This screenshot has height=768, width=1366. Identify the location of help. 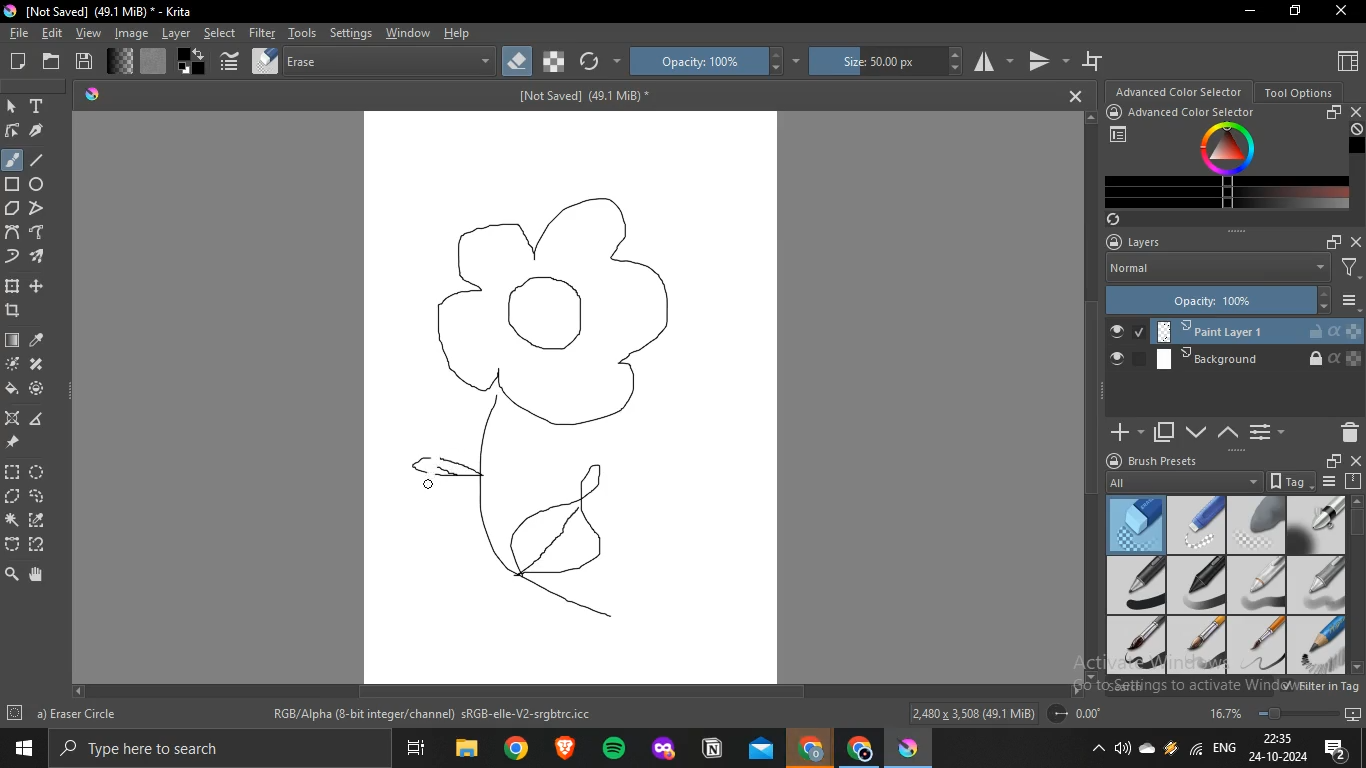
(460, 35).